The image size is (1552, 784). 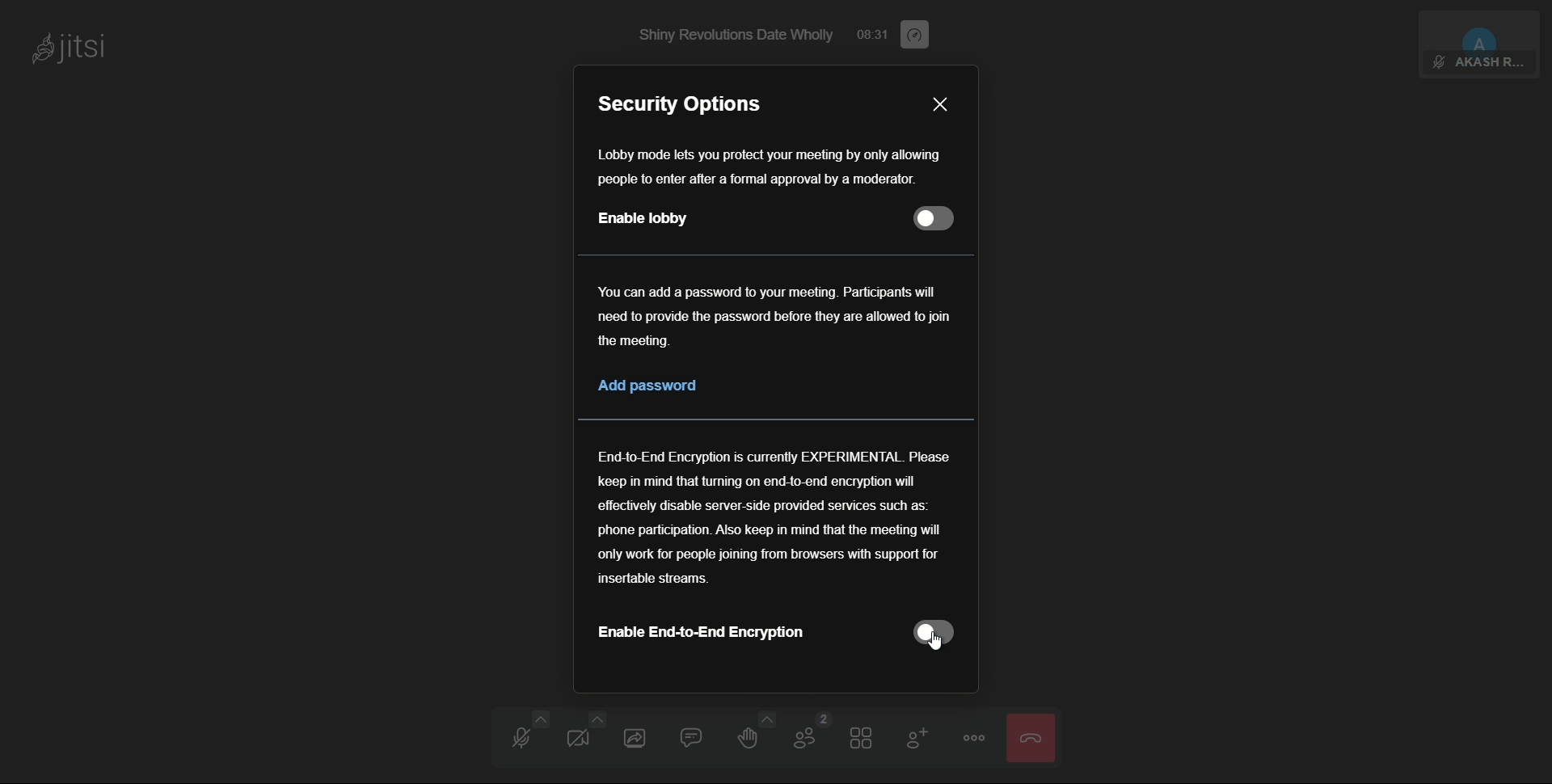 I want to click on , so click(x=751, y=735).